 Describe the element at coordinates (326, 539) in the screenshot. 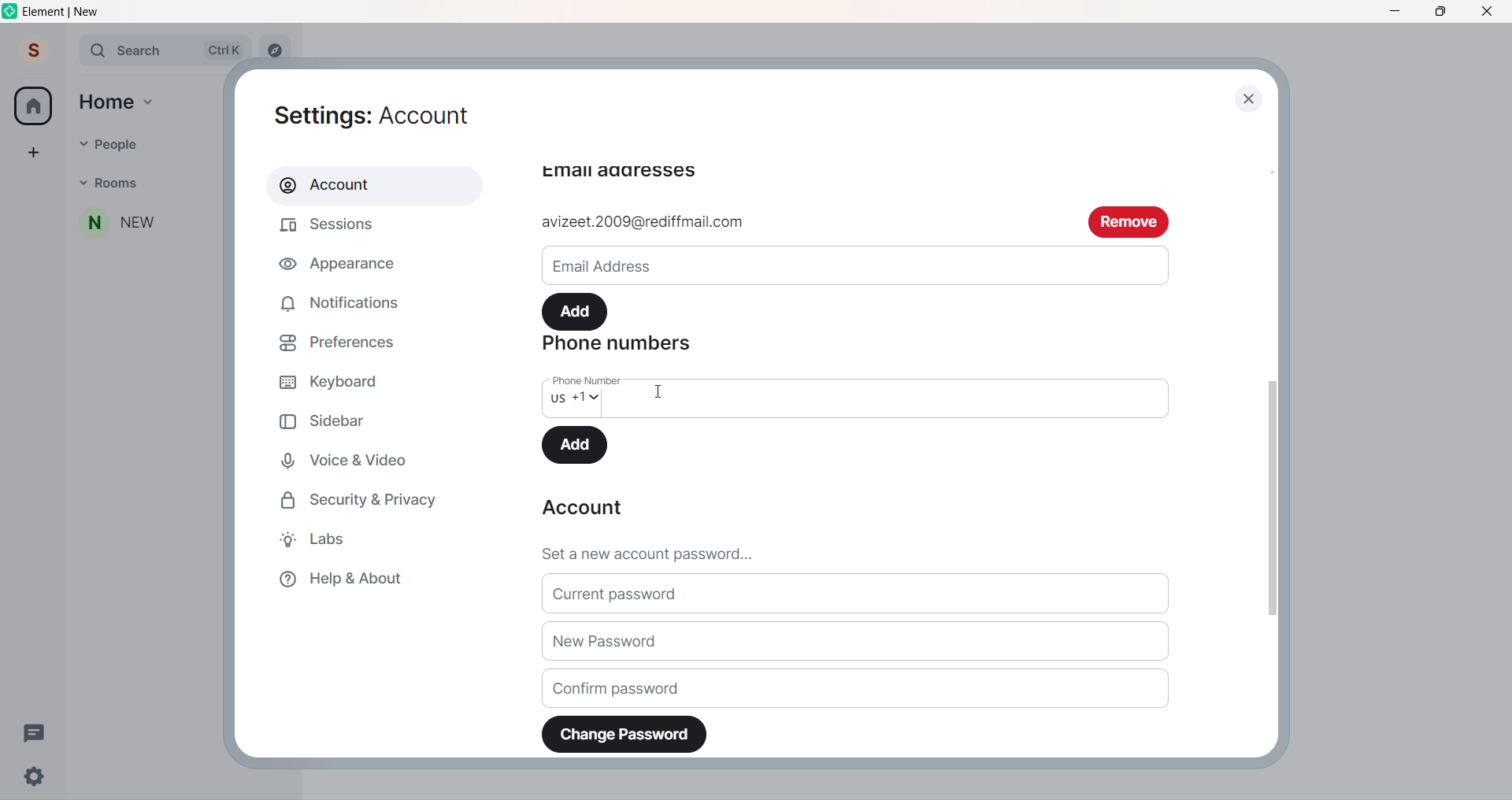

I see `Labs` at that location.